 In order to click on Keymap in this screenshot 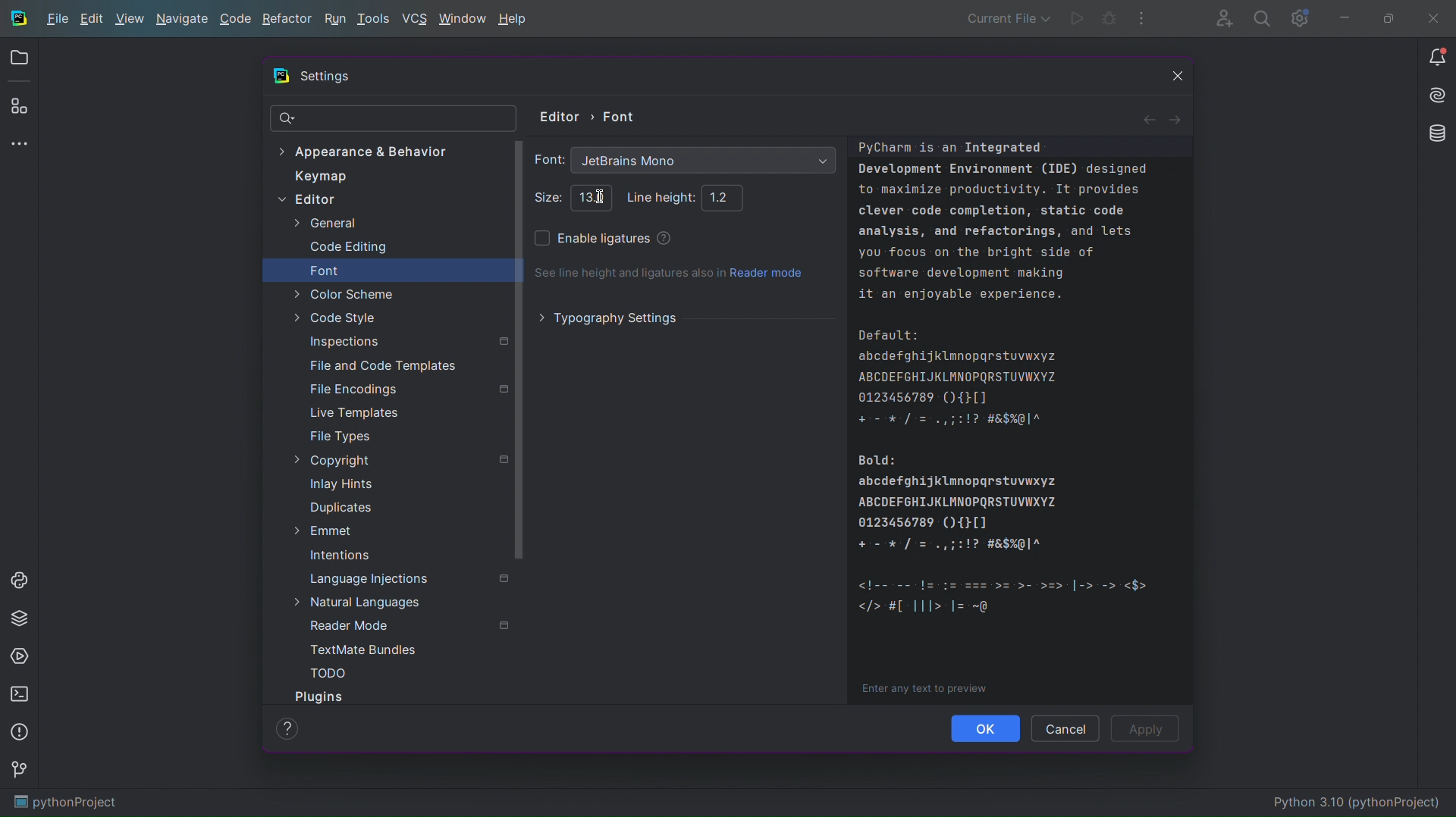, I will do `click(321, 177)`.